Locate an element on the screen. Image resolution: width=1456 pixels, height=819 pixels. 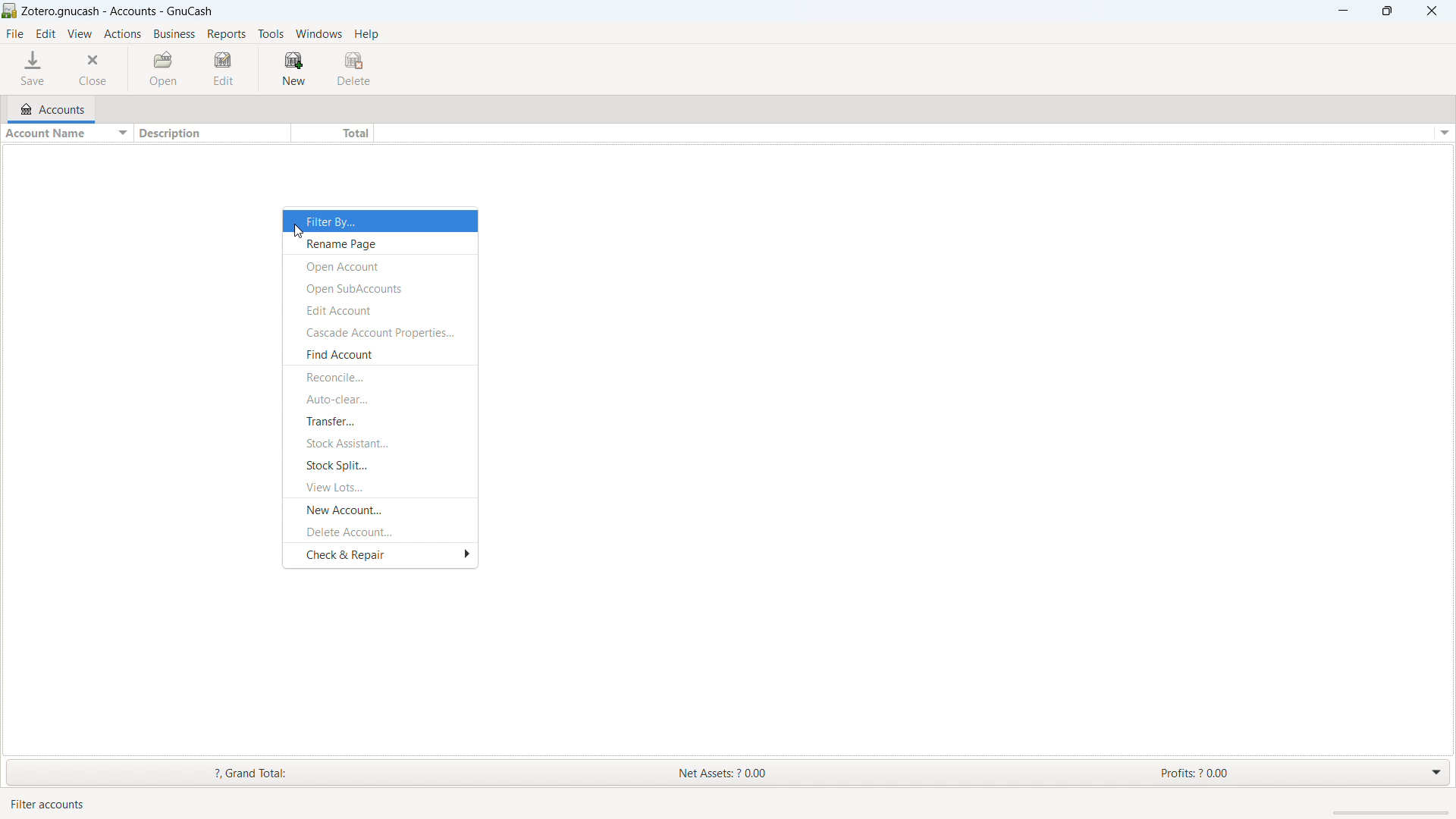
auto-clear is located at coordinates (380, 398).